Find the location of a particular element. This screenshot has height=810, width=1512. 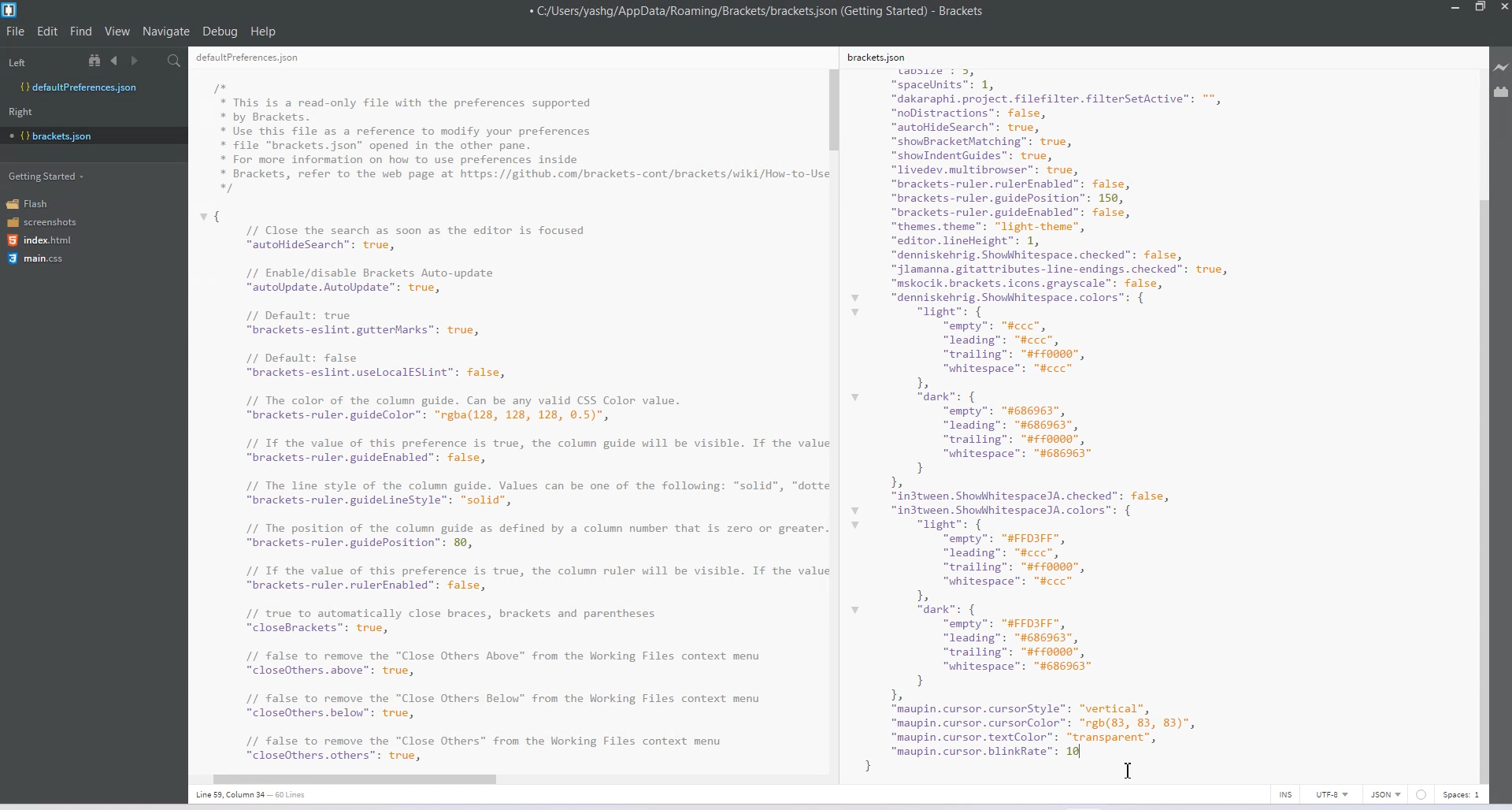

Help is located at coordinates (264, 32).